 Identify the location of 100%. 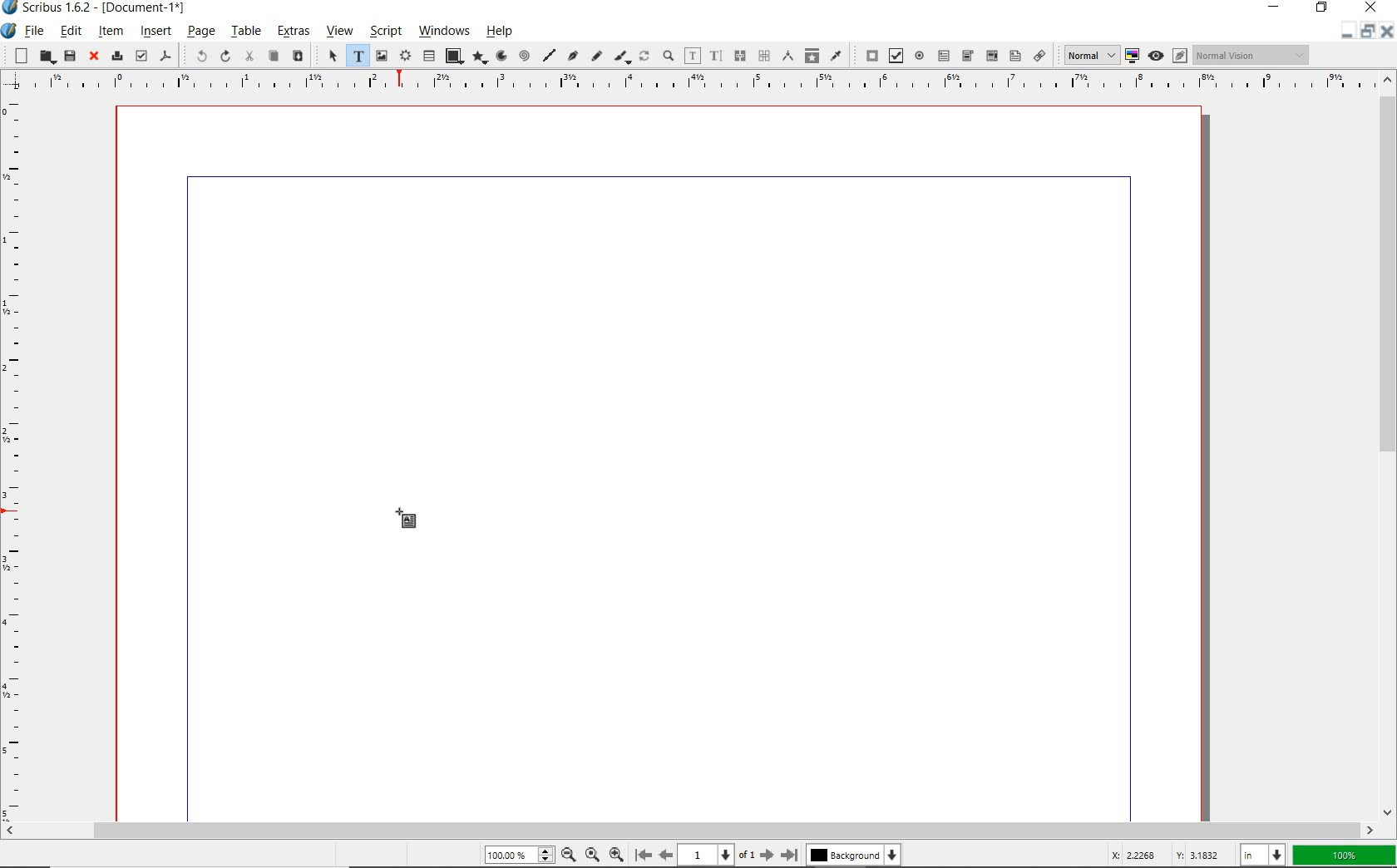
(516, 856).